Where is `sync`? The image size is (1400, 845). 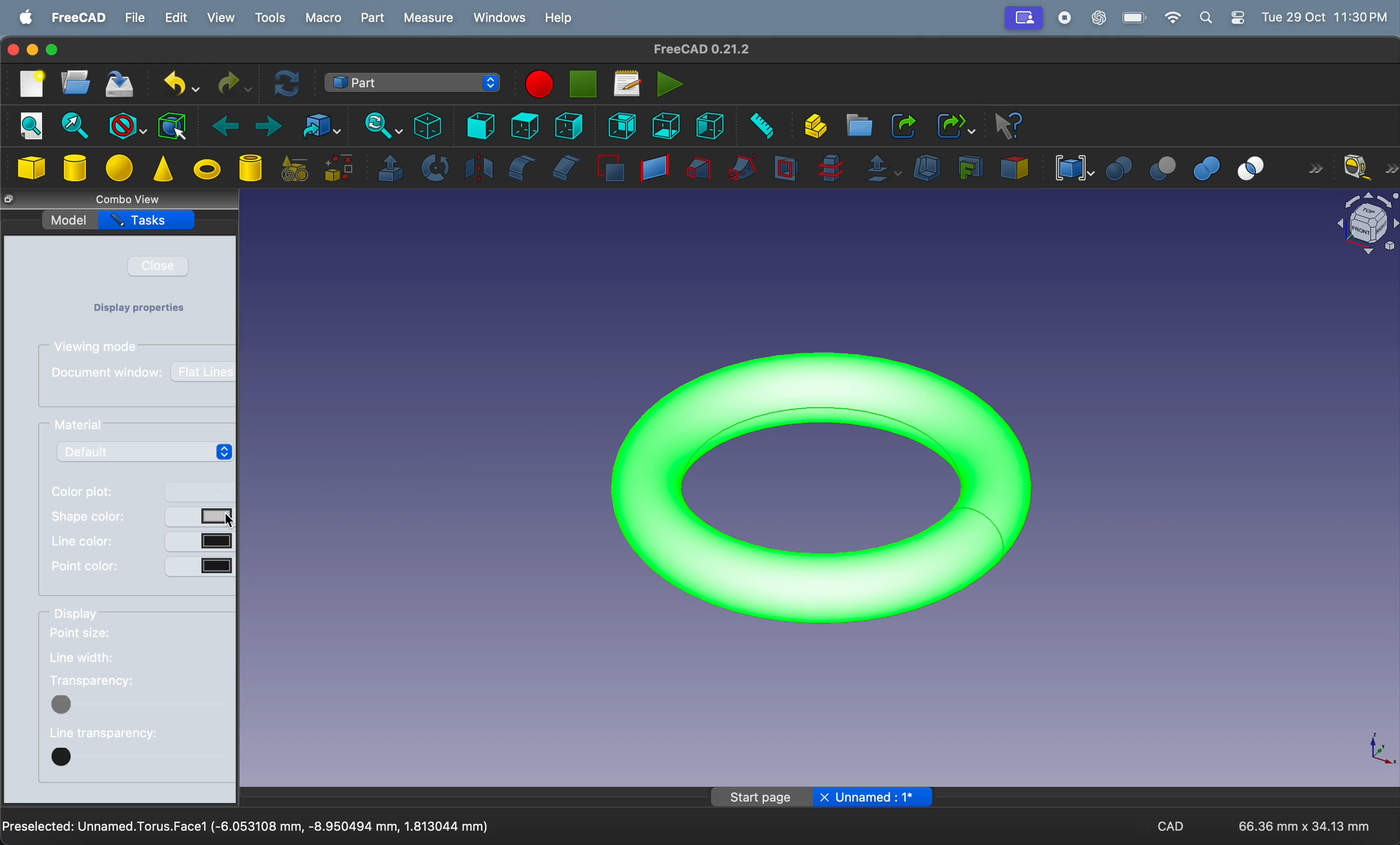
sync is located at coordinates (377, 124).